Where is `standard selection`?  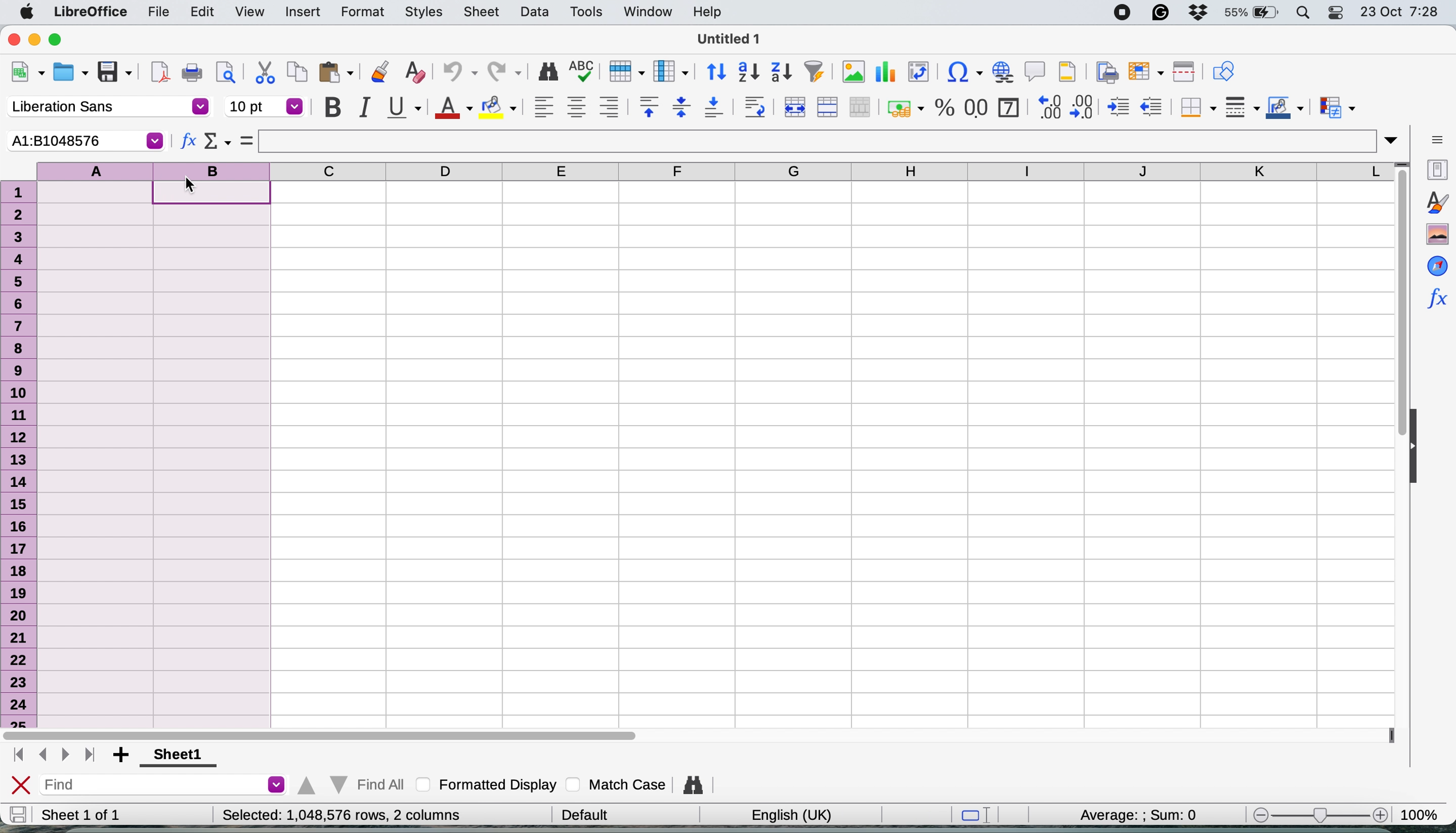
standard selection is located at coordinates (977, 815).